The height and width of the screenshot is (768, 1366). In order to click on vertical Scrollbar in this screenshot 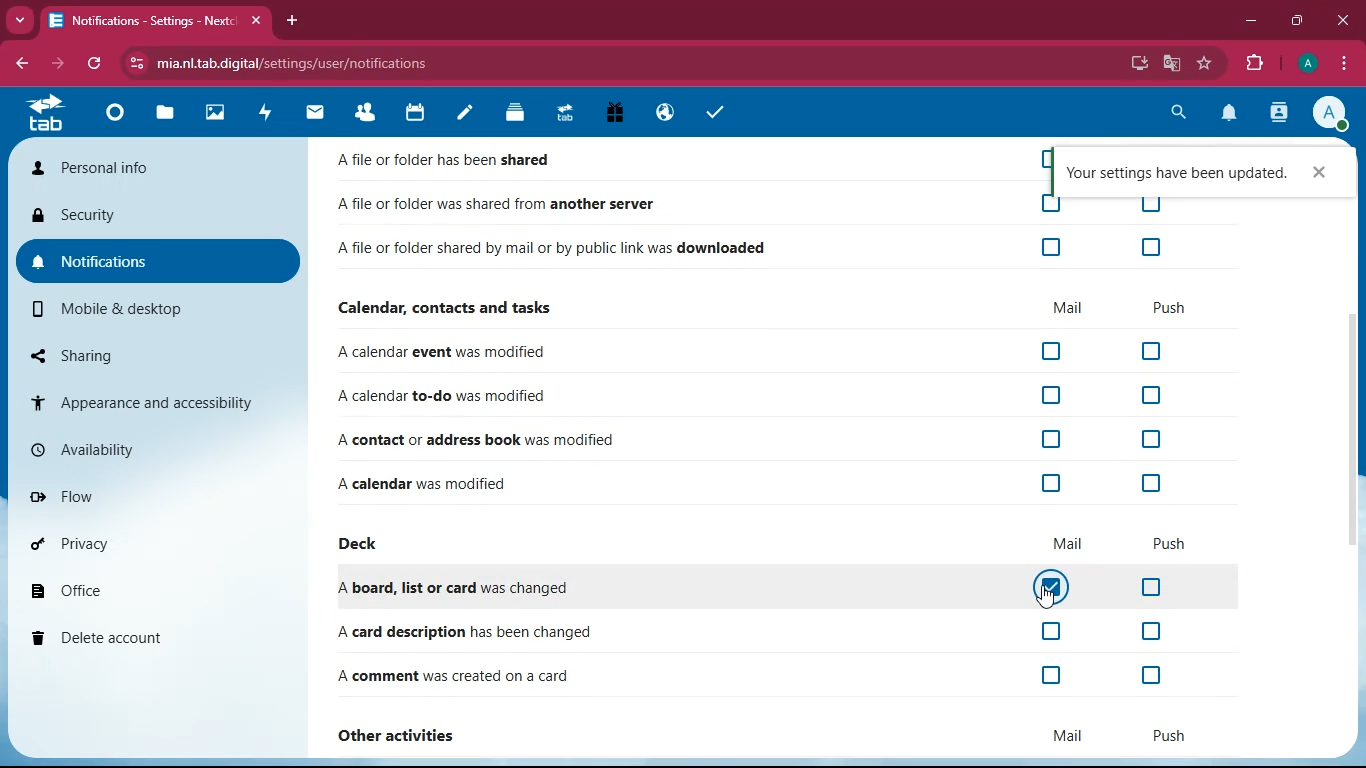, I will do `click(1352, 433)`.